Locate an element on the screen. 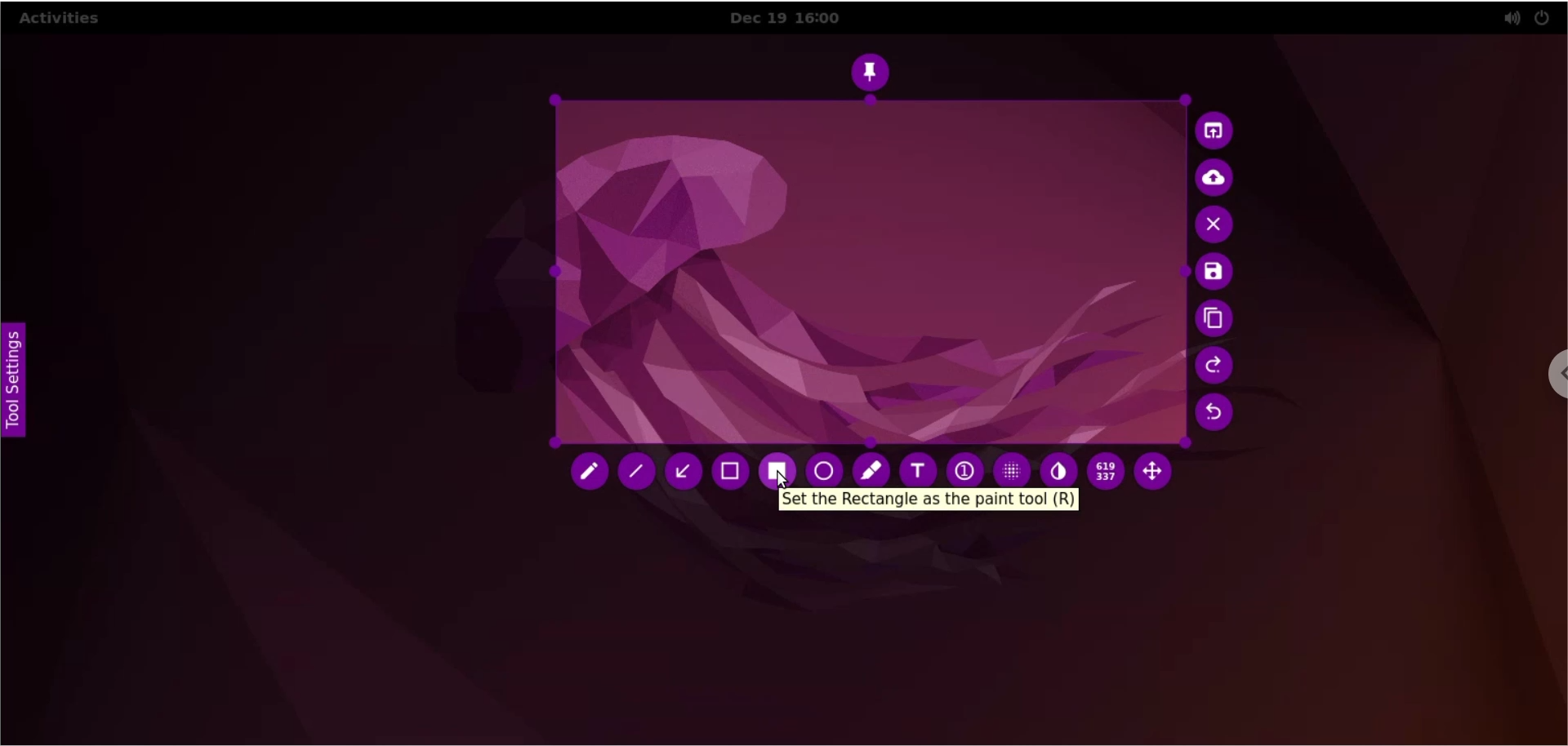 The image size is (1568, 746). chrome options is located at coordinates (1540, 383).